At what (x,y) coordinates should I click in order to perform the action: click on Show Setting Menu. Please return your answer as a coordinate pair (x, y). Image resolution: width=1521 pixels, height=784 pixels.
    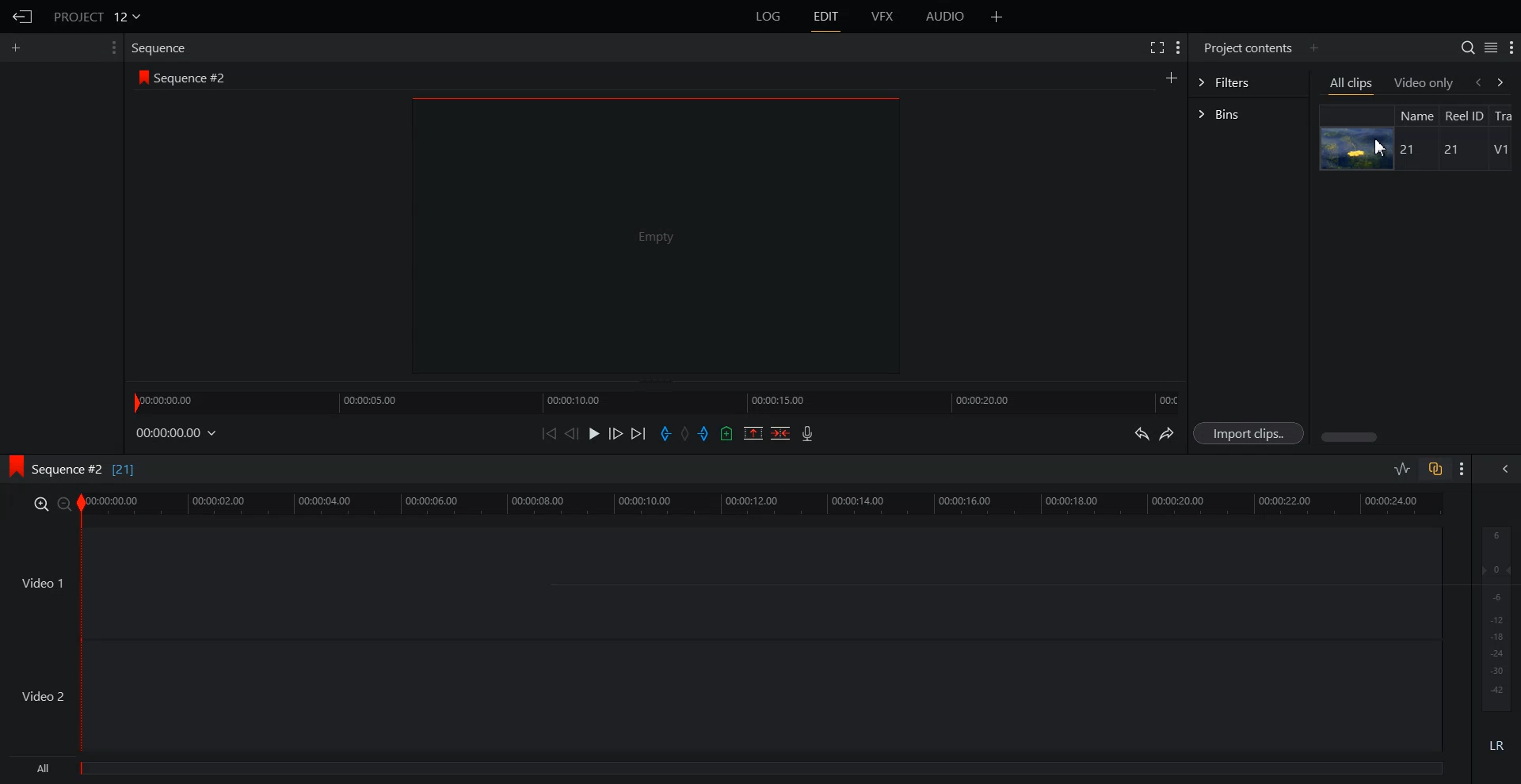
    Looking at the image, I should click on (113, 48).